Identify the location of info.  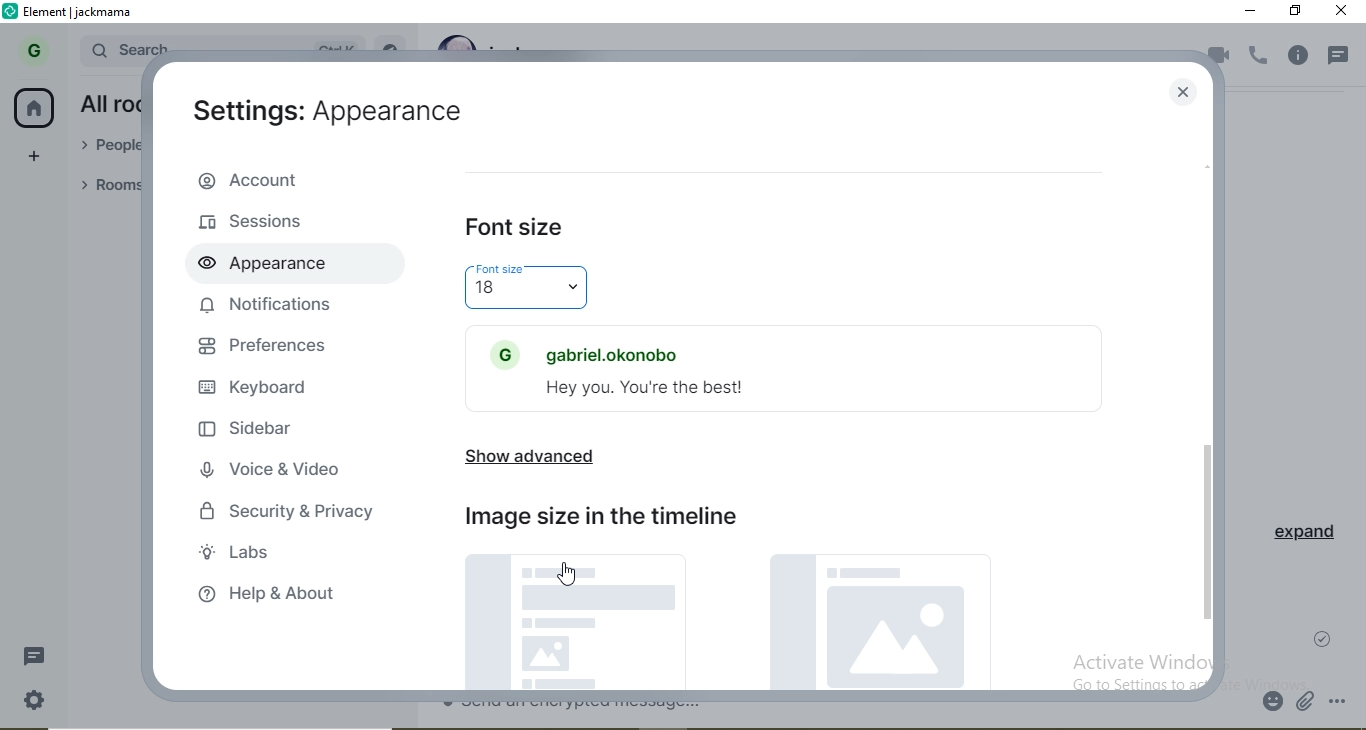
(1303, 56).